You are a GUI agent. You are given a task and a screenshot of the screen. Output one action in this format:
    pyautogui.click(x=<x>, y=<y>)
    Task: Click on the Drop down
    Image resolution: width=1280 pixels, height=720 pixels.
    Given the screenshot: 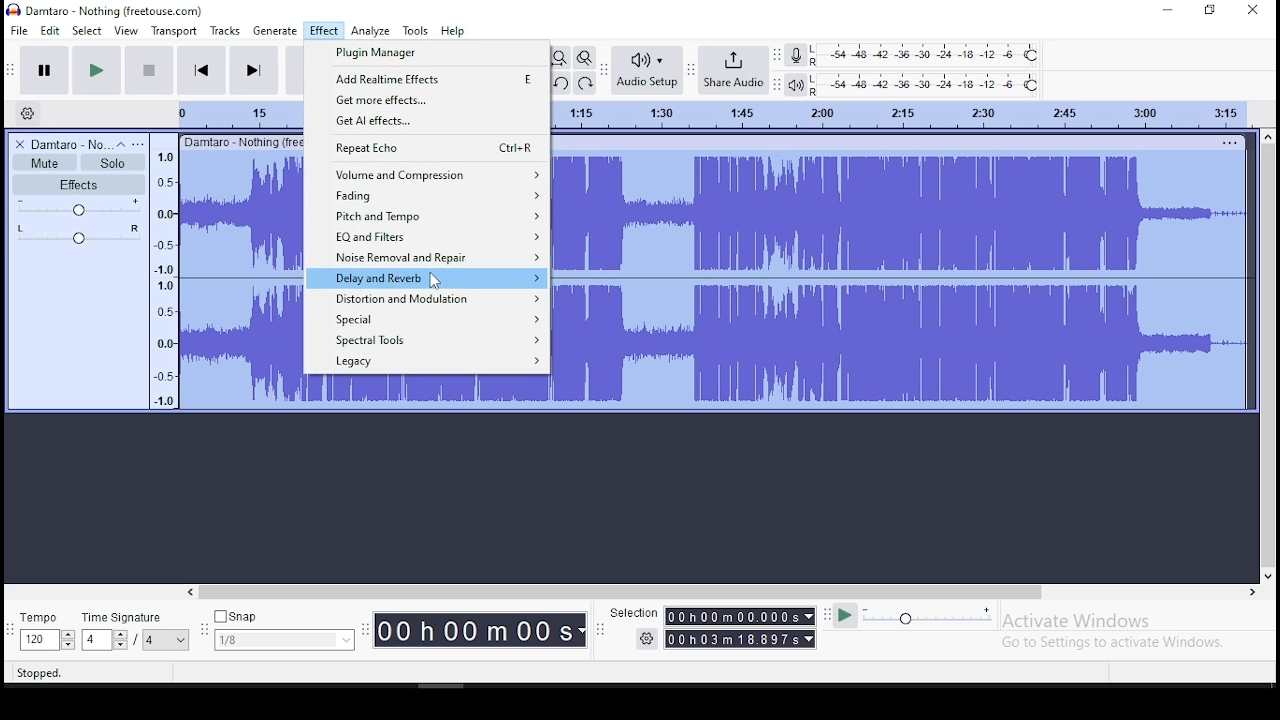 What is the action you would take?
    pyautogui.click(x=807, y=615)
    